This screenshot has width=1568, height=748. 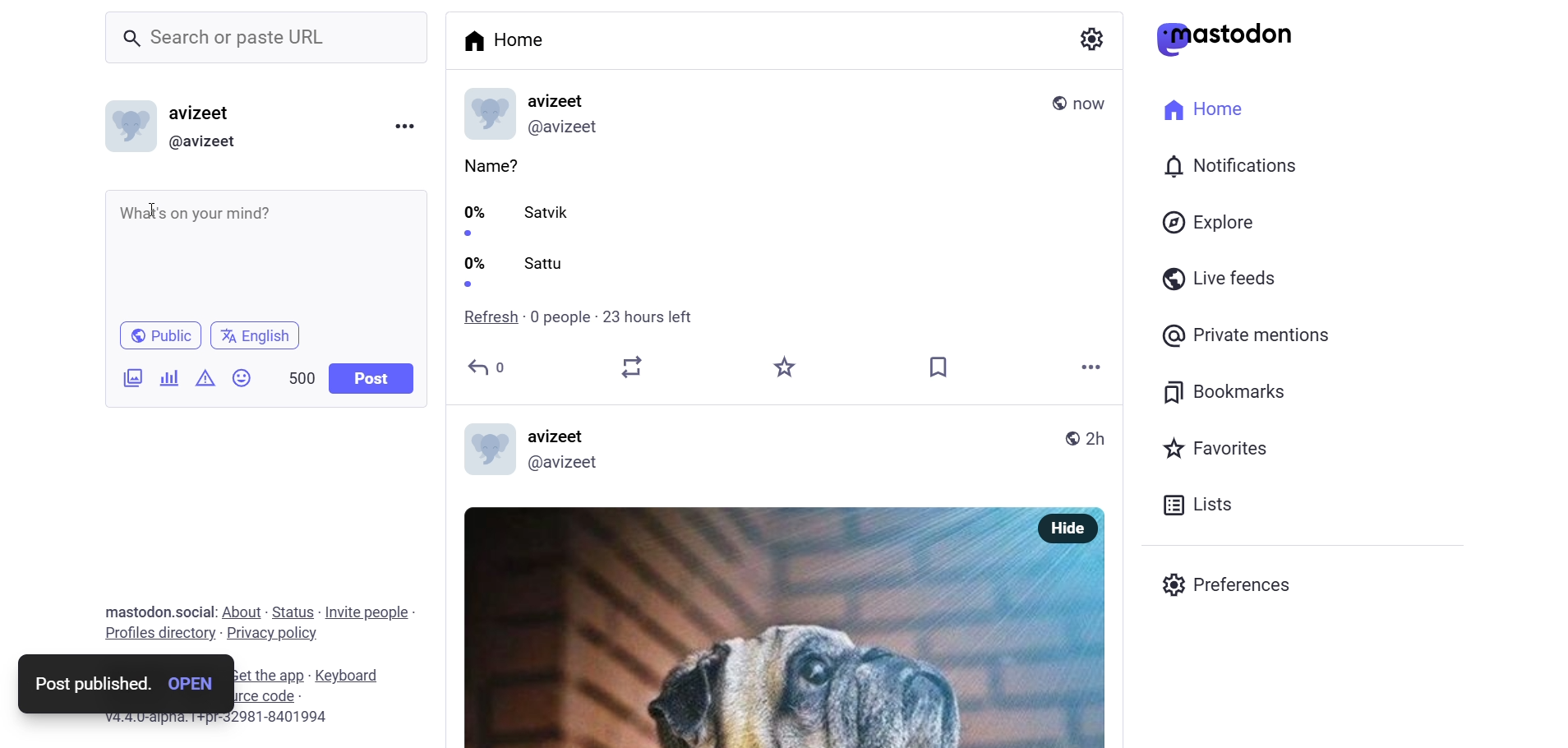 I want to click on bookmark, so click(x=1227, y=390).